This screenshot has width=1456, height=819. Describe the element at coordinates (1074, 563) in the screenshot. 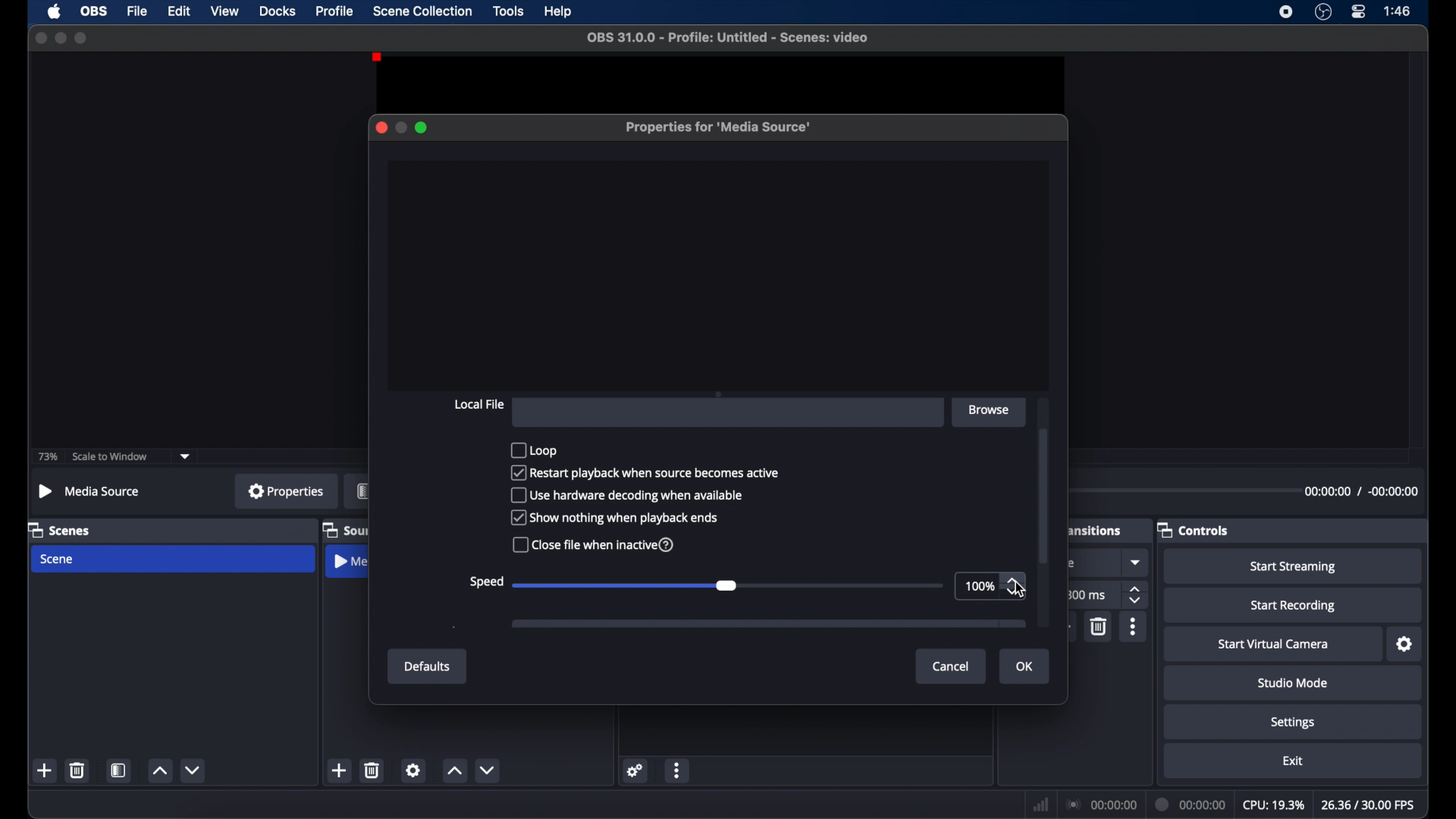

I see `obscure text` at that location.